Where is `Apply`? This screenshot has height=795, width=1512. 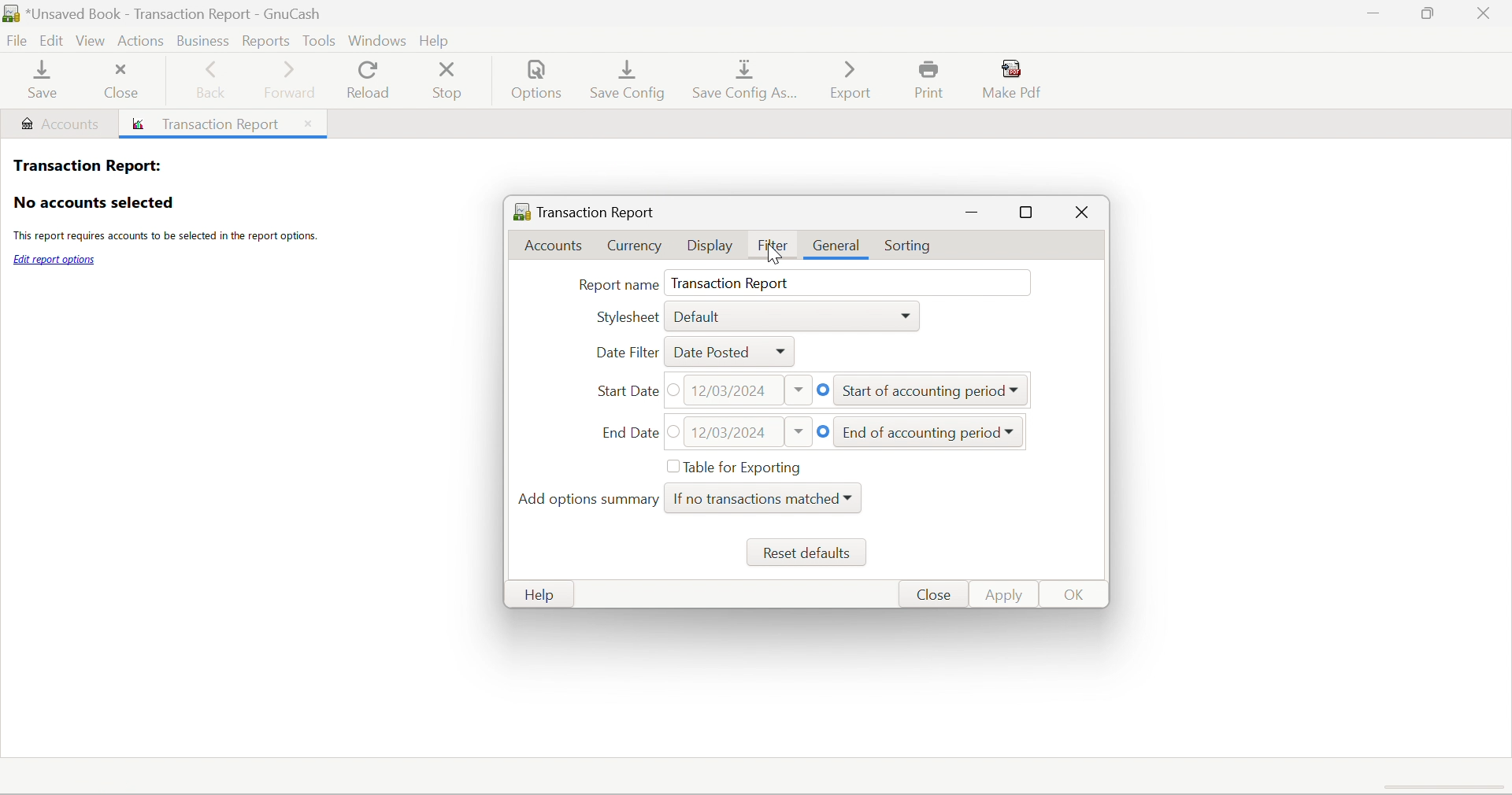
Apply is located at coordinates (1007, 594).